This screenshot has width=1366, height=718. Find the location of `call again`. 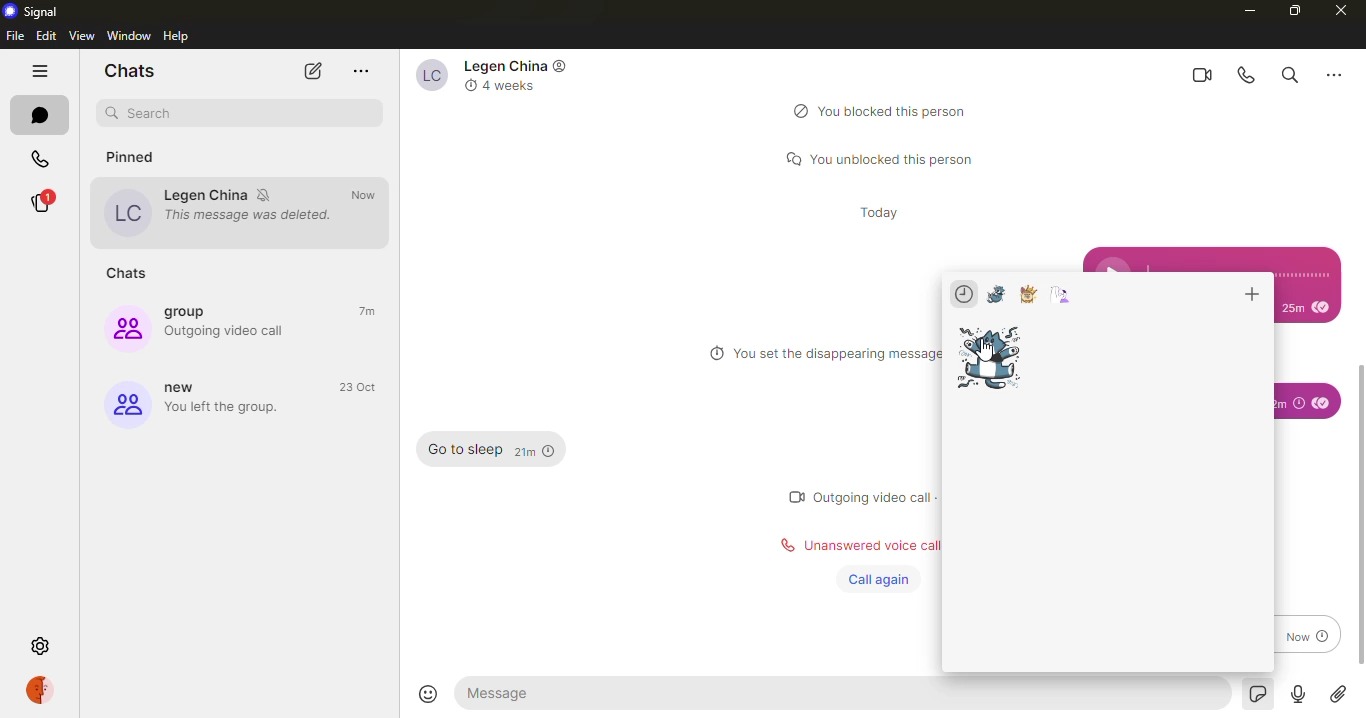

call again is located at coordinates (876, 580).